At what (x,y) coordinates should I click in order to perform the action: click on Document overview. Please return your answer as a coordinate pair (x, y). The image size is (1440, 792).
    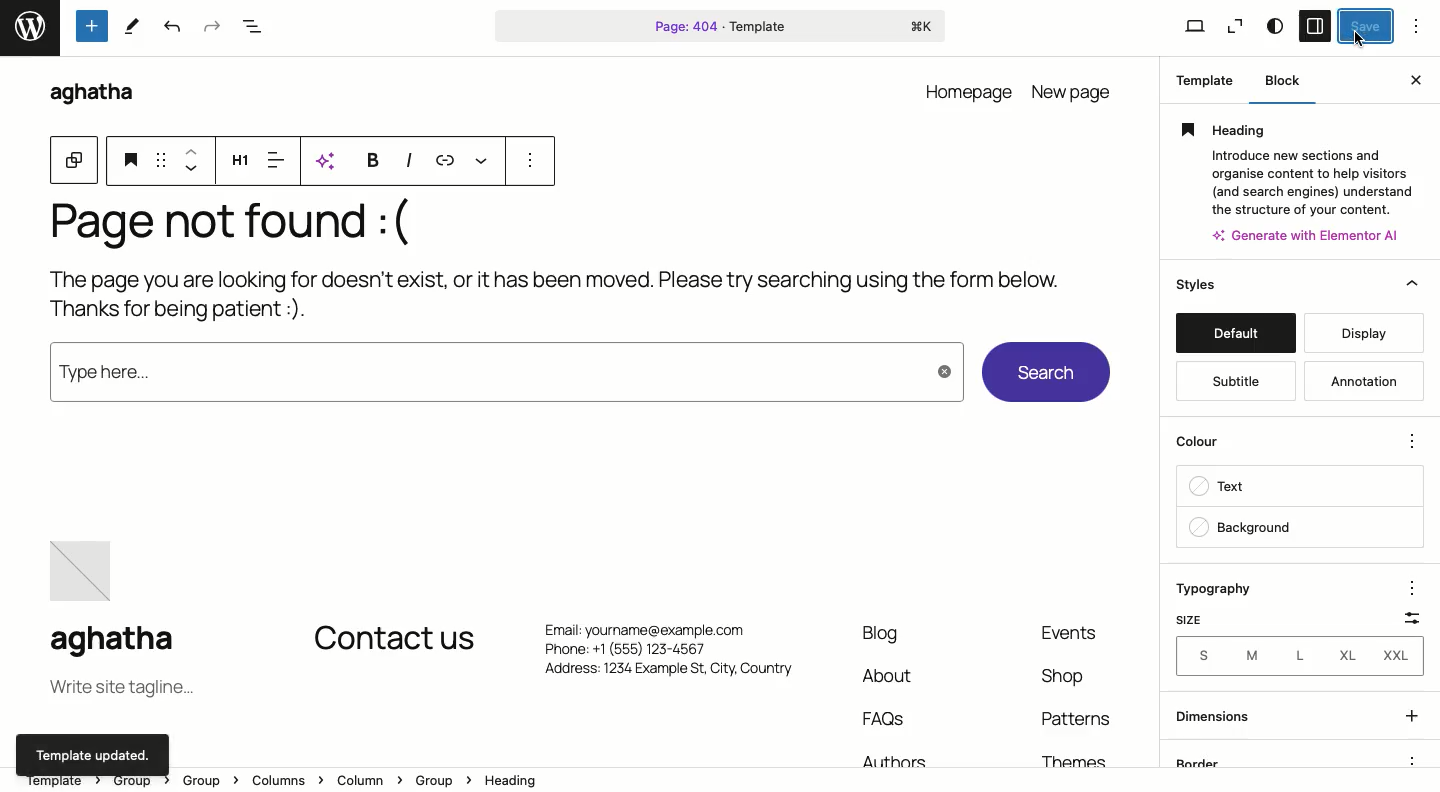
    Looking at the image, I should click on (252, 27).